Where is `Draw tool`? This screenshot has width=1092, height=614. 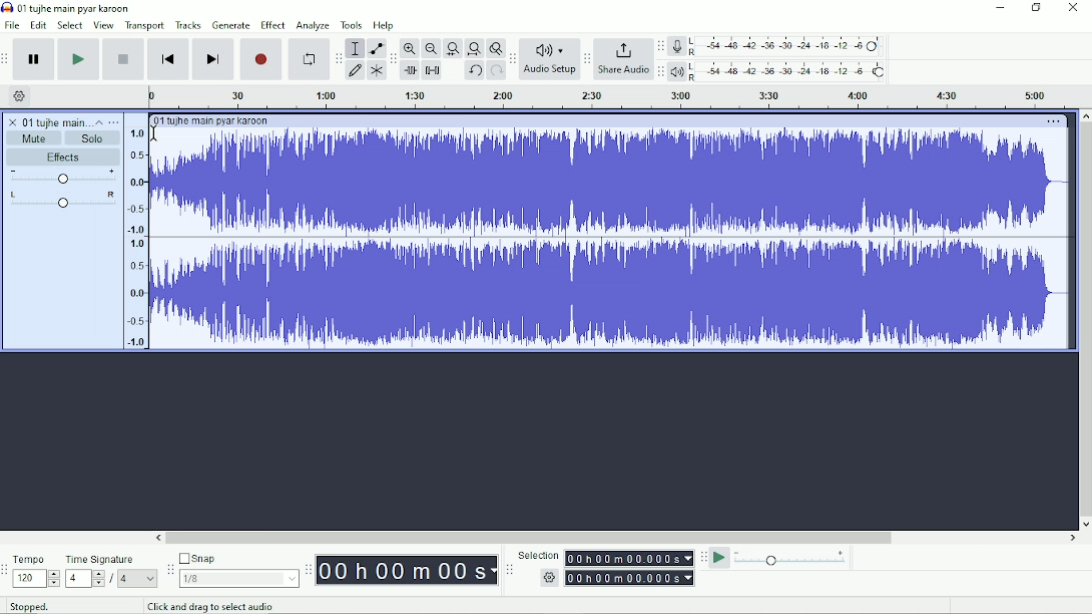
Draw tool is located at coordinates (355, 72).